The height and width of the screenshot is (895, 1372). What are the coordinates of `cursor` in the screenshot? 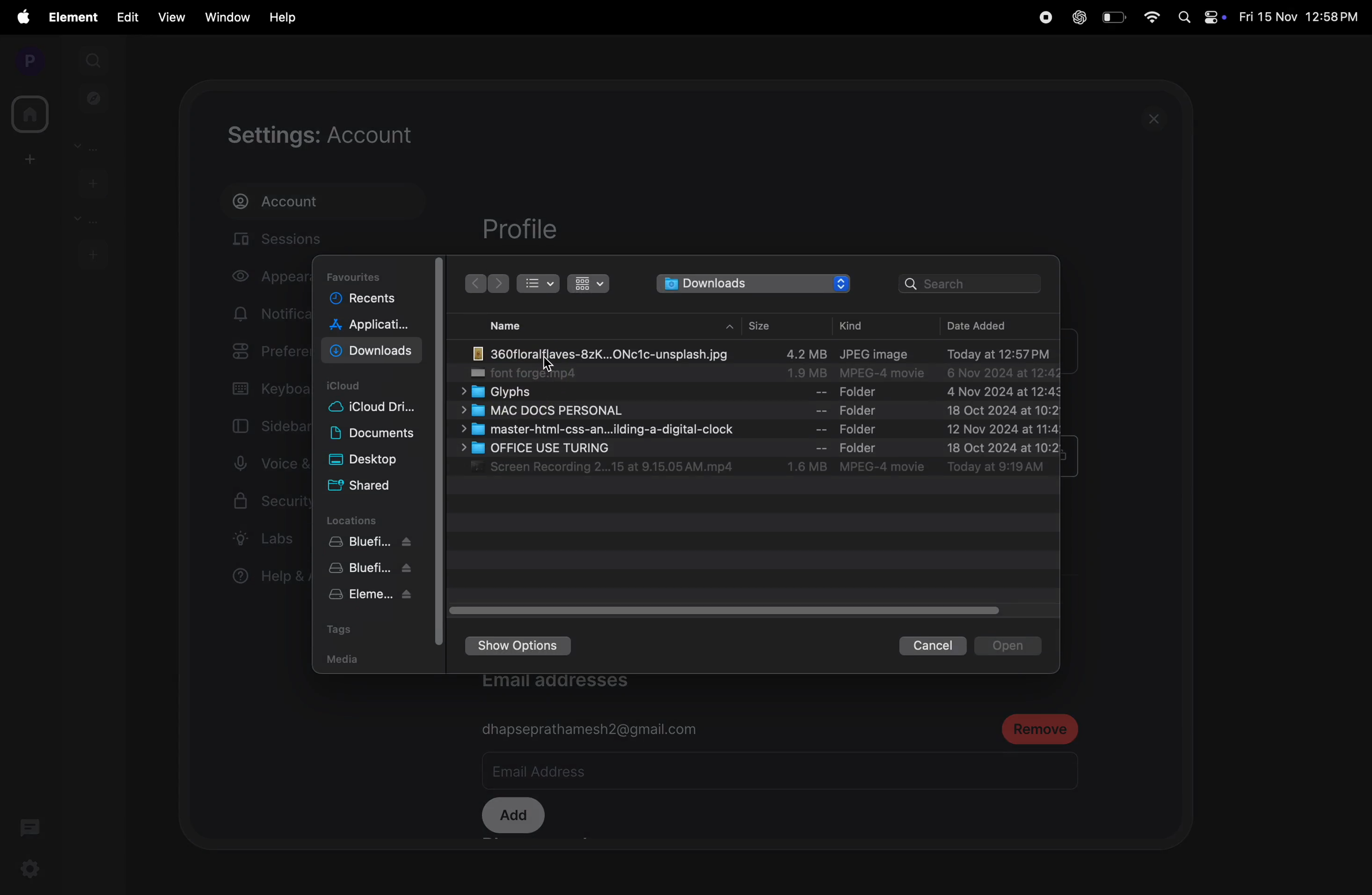 It's located at (549, 365).